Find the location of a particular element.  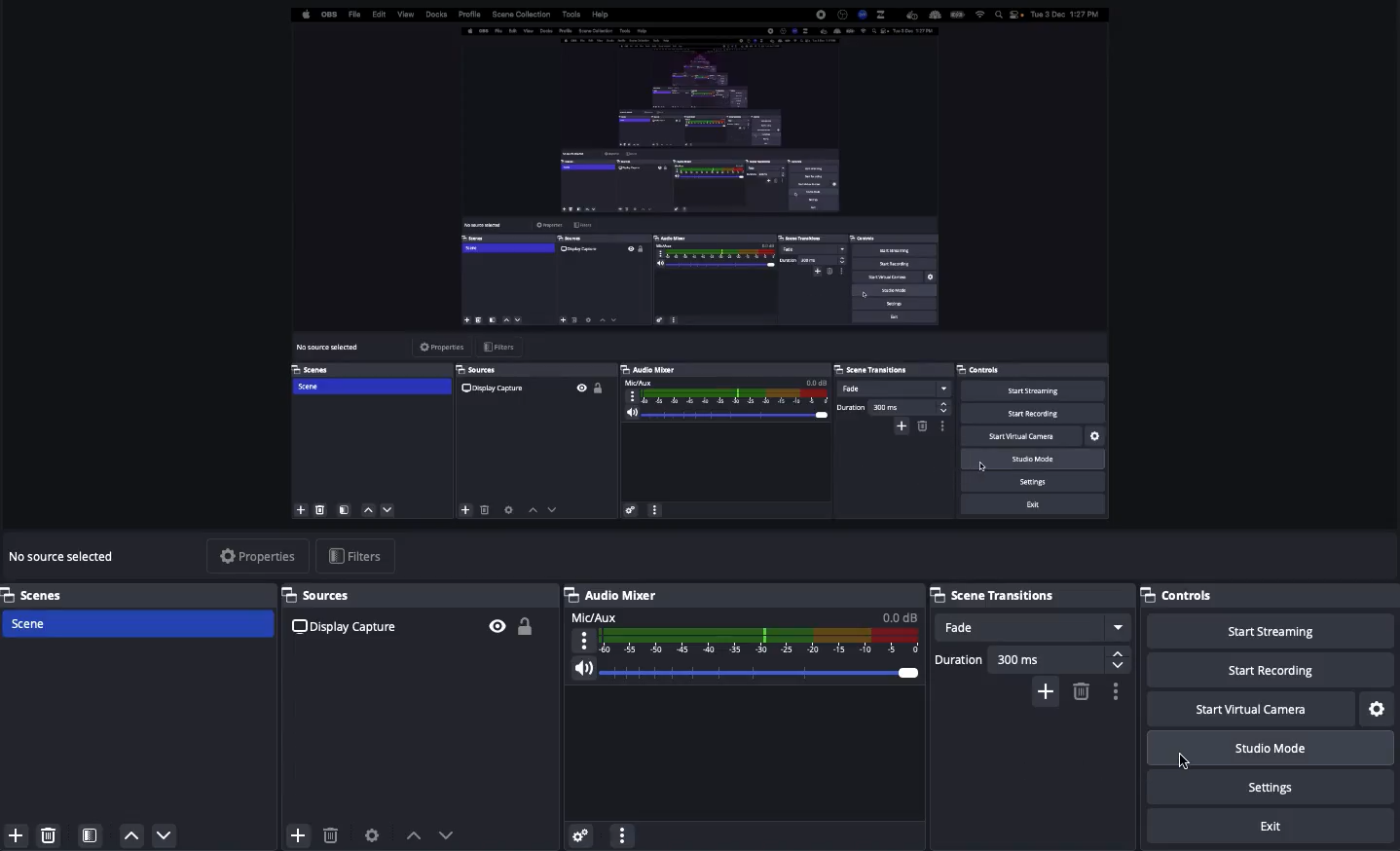

move down is located at coordinates (166, 835).